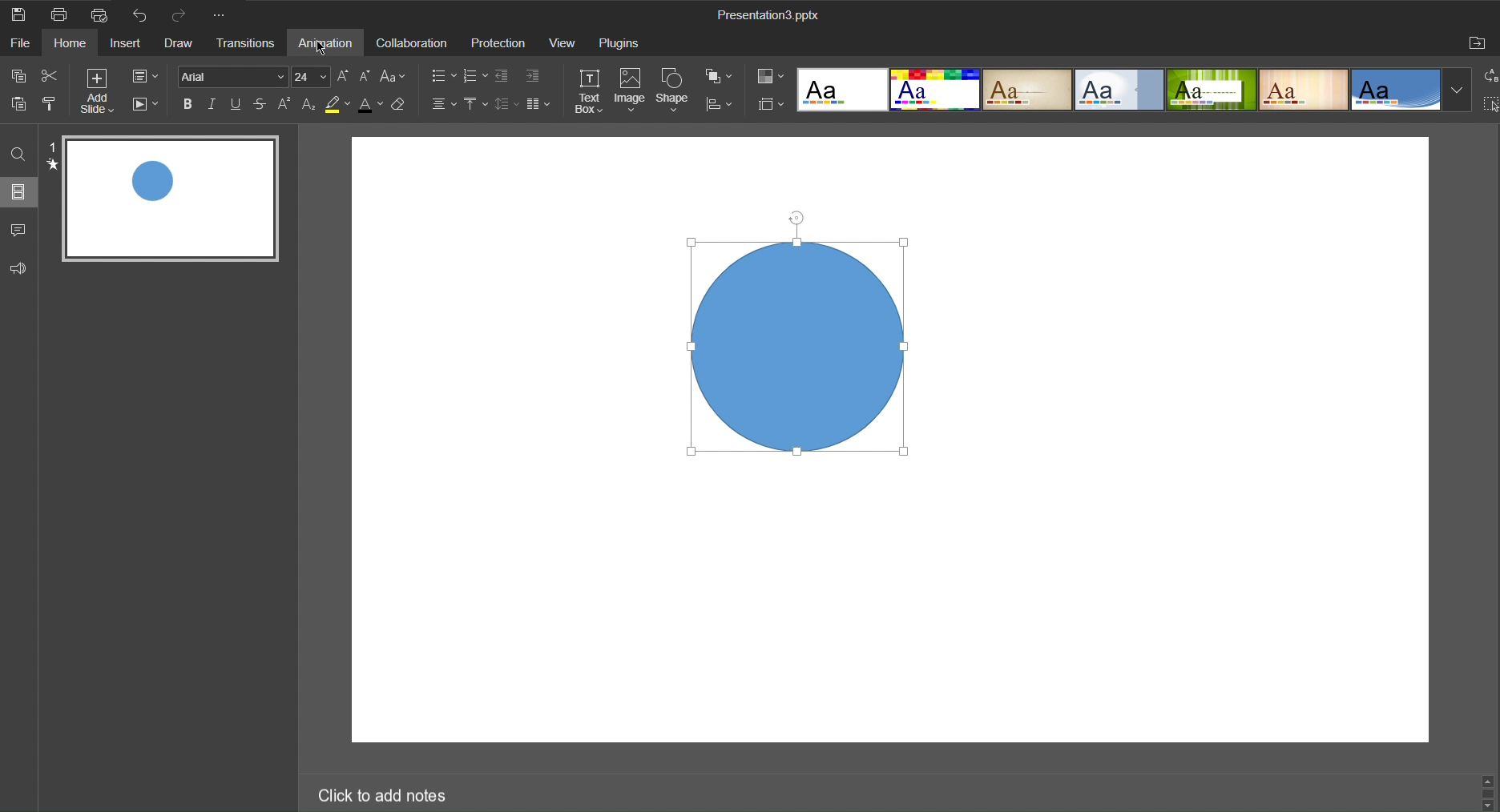  I want to click on Line Spacing, so click(507, 107).